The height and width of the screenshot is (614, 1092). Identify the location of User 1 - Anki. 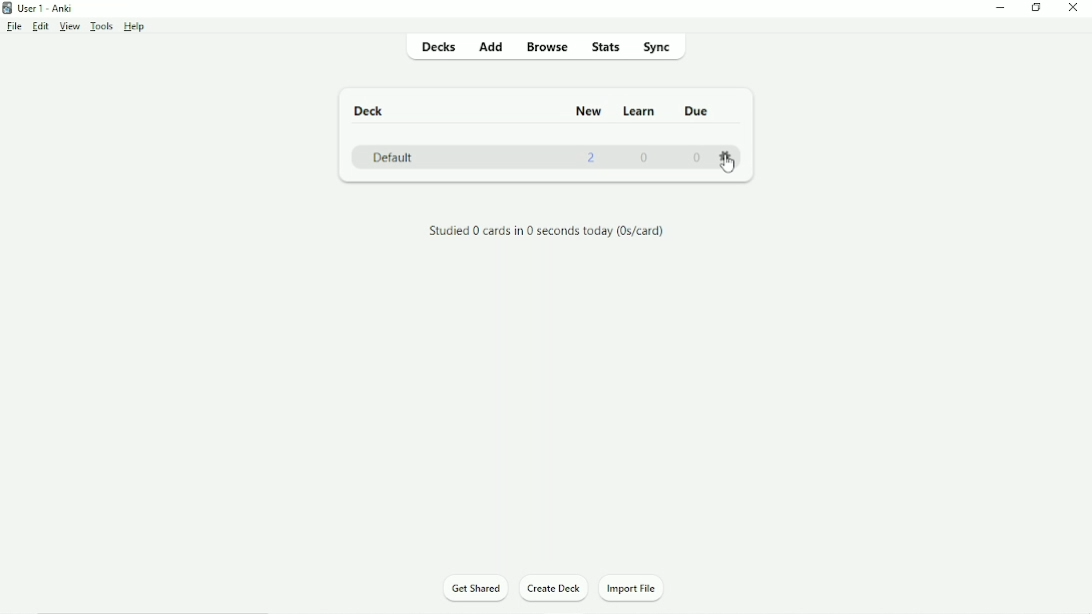
(45, 8).